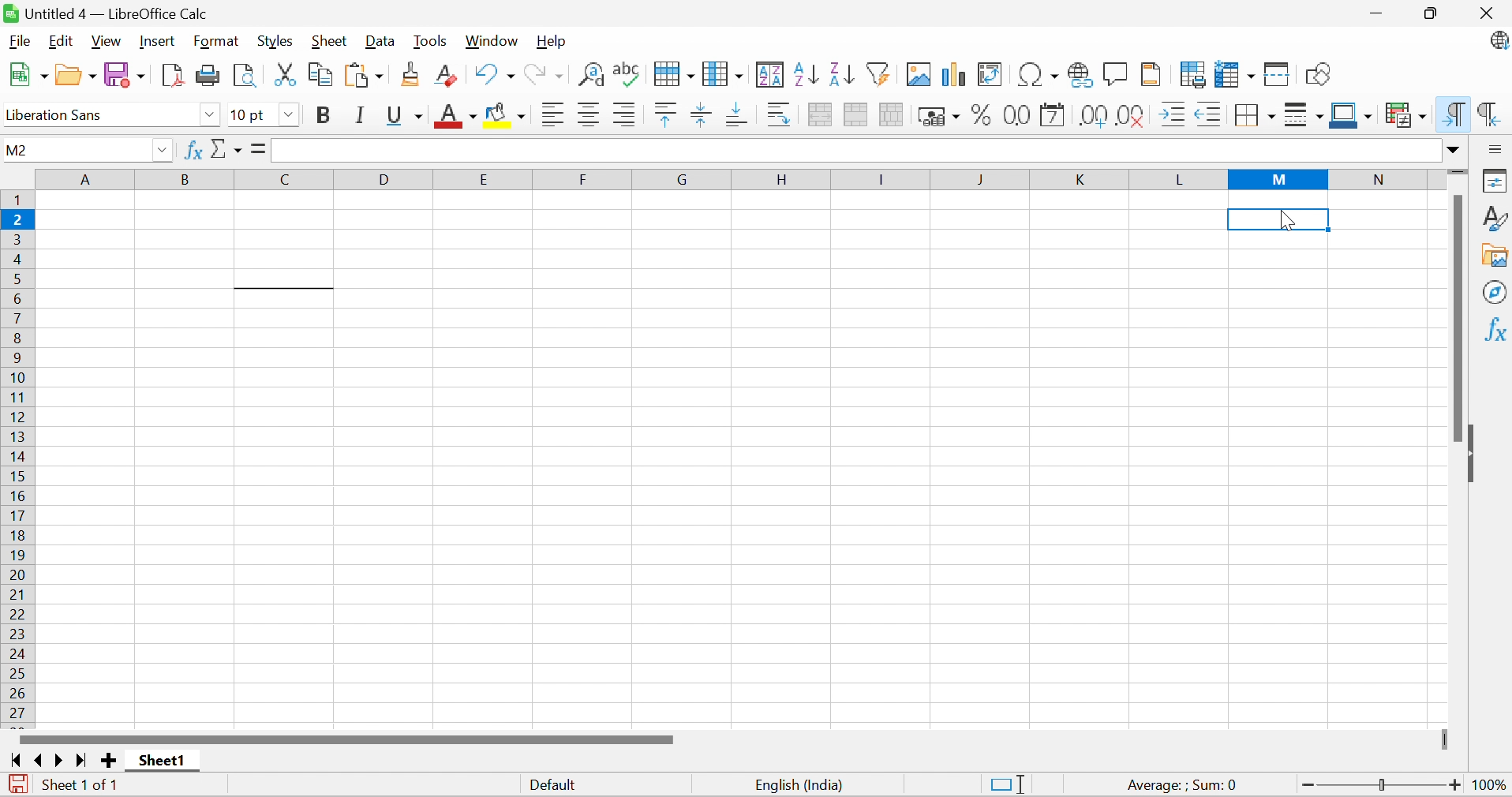 The width and height of the screenshot is (1512, 797). I want to click on Cut, so click(285, 75).